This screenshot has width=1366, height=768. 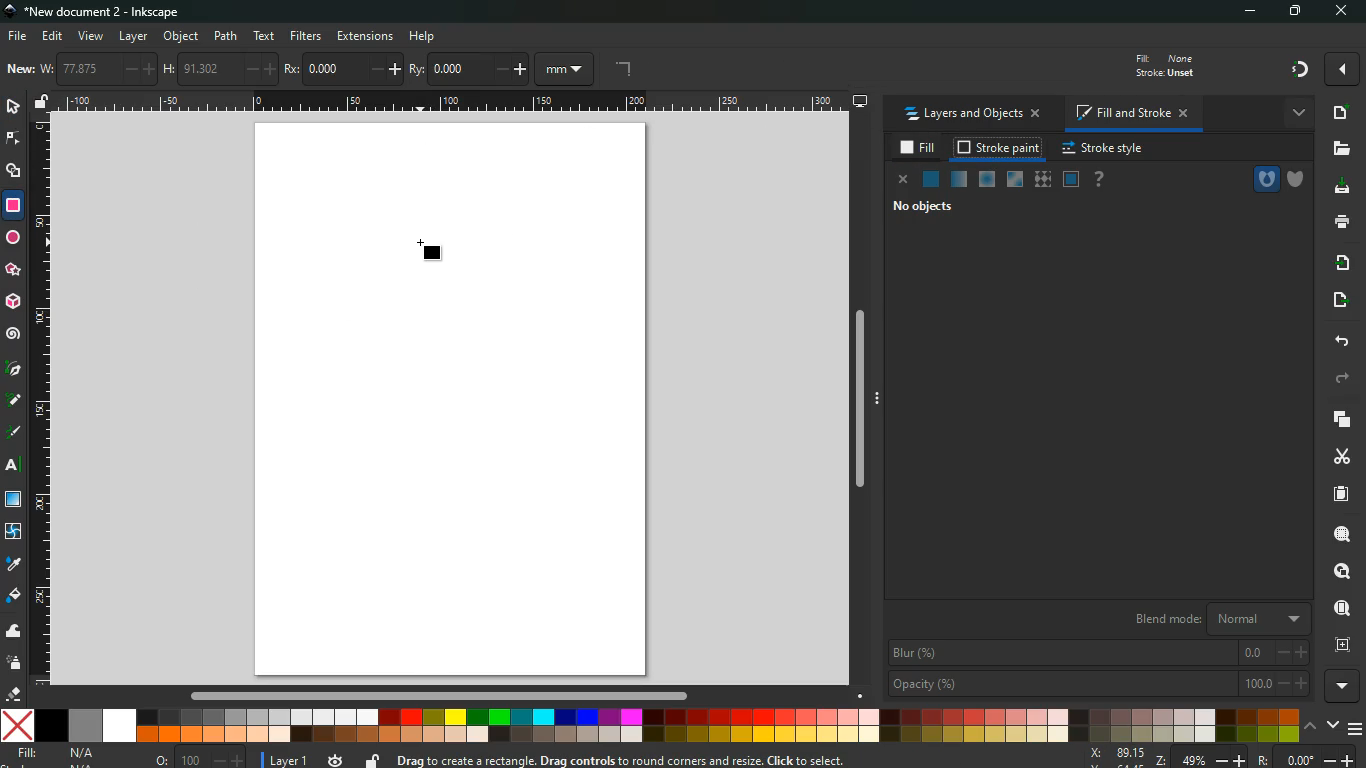 I want to click on rx, so click(x=342, y=70).